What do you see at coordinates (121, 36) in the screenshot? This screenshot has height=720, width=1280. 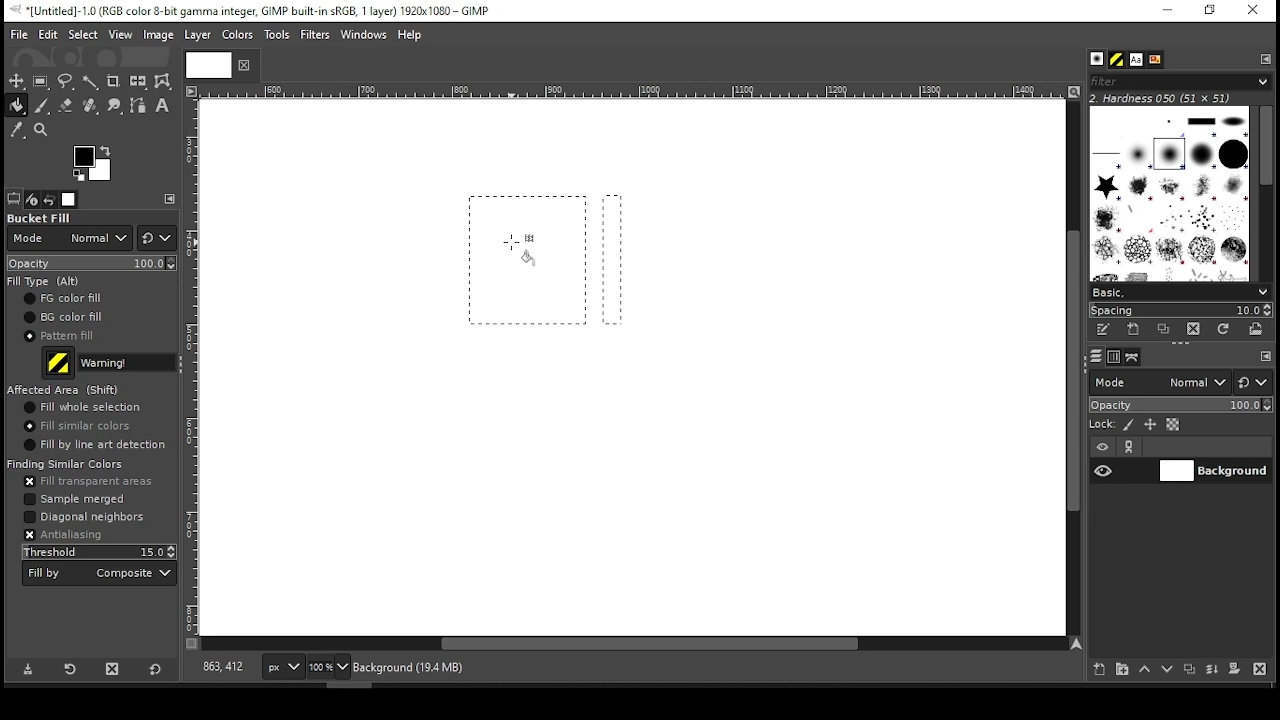 I see `view` at bounding box center [121, 36].